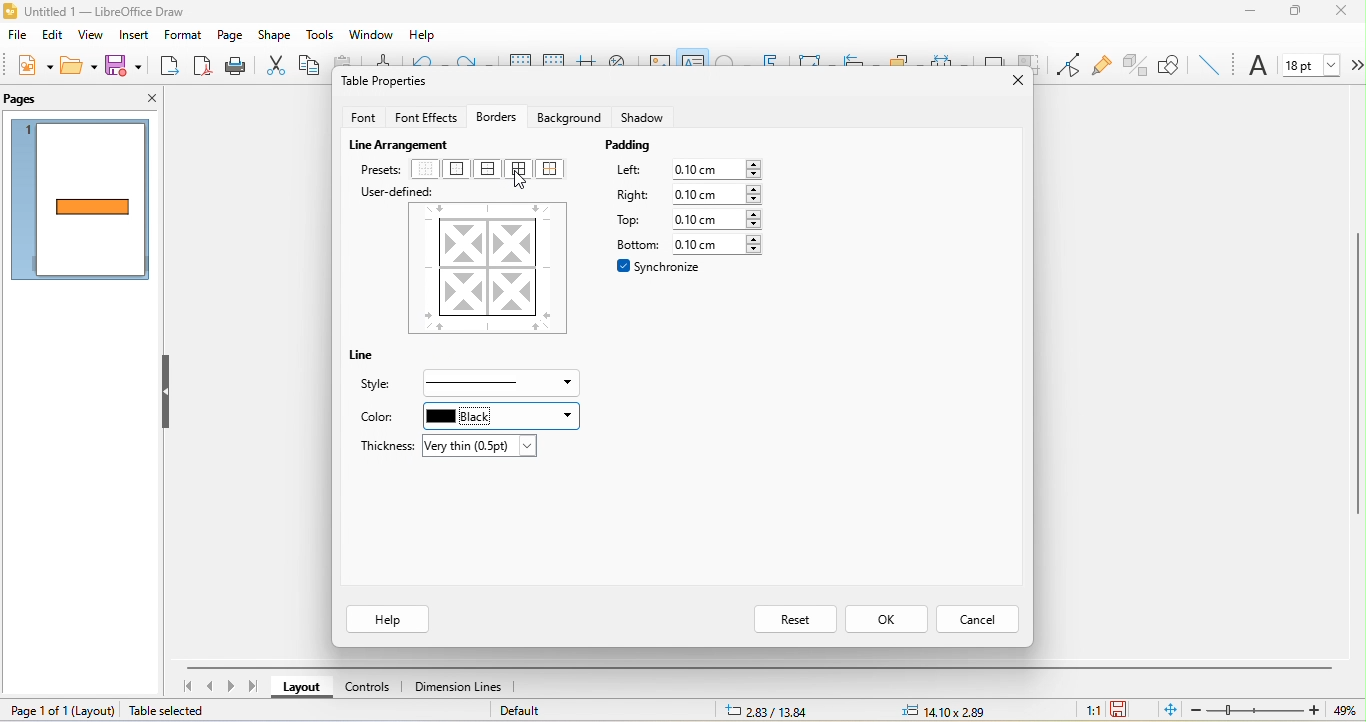 The width and height of the screenshot is (1366, 722). Describe the element at coordinates (187, 687) in the screenshot. I see `first page` at that location.